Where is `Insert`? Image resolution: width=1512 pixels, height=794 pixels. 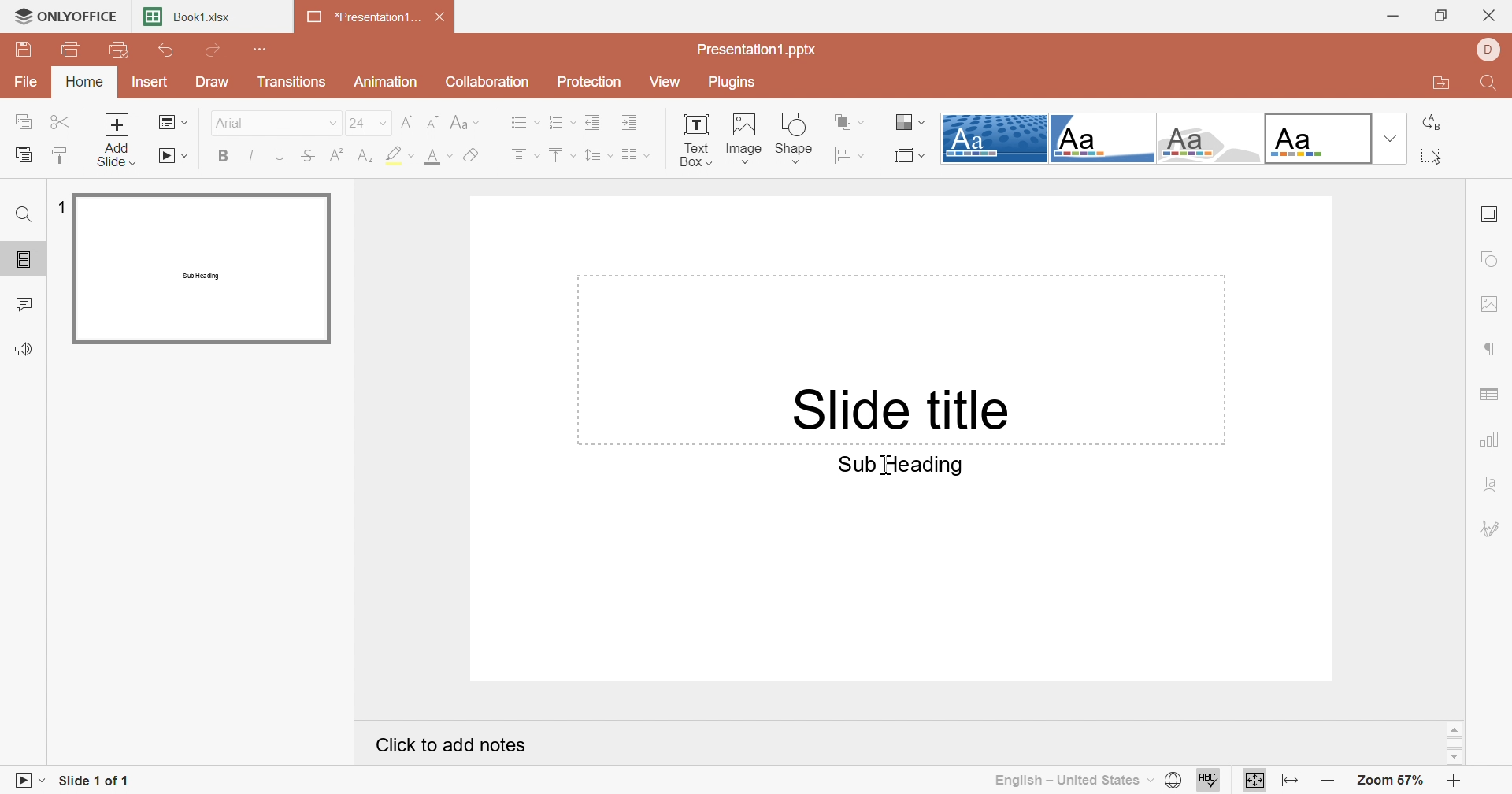 Insert is located at coordinates (152, 82).